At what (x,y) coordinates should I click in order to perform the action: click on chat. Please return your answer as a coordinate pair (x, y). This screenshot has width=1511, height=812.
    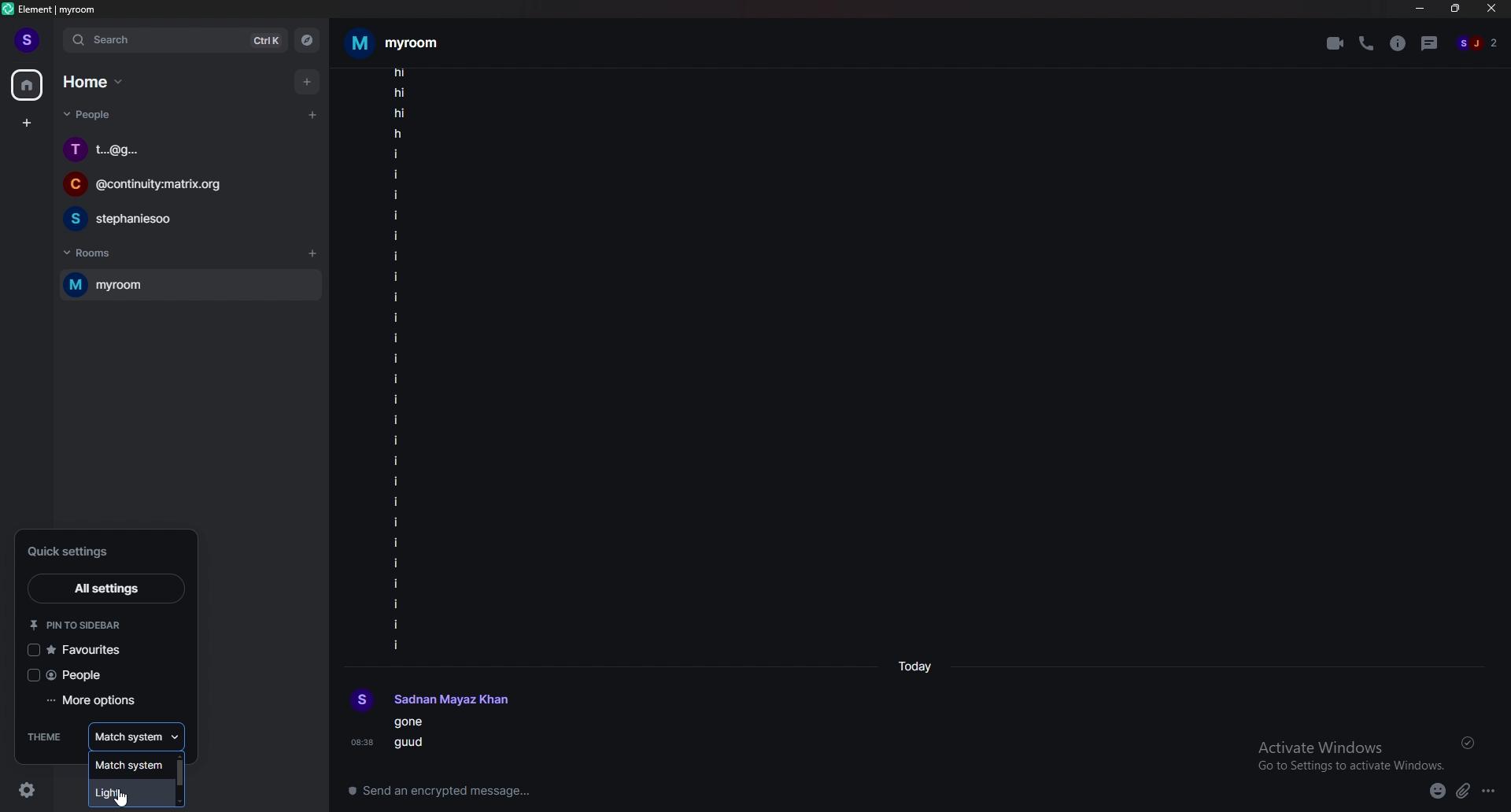
    Looking at the image, I should click on (183, 217).